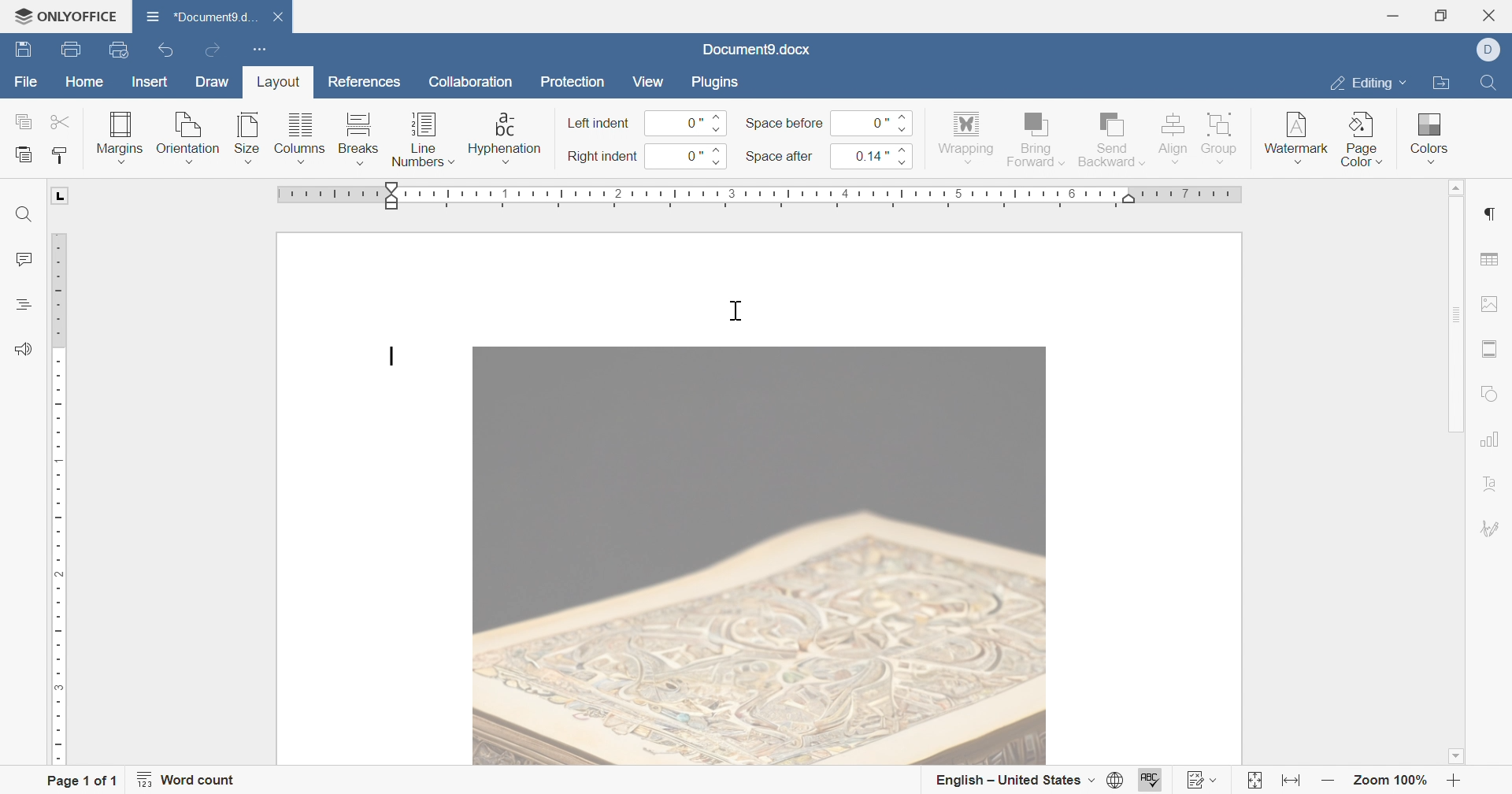  Describe the element at coordinates (1392, 16) in the screenshot. I see `minimize` at that location.